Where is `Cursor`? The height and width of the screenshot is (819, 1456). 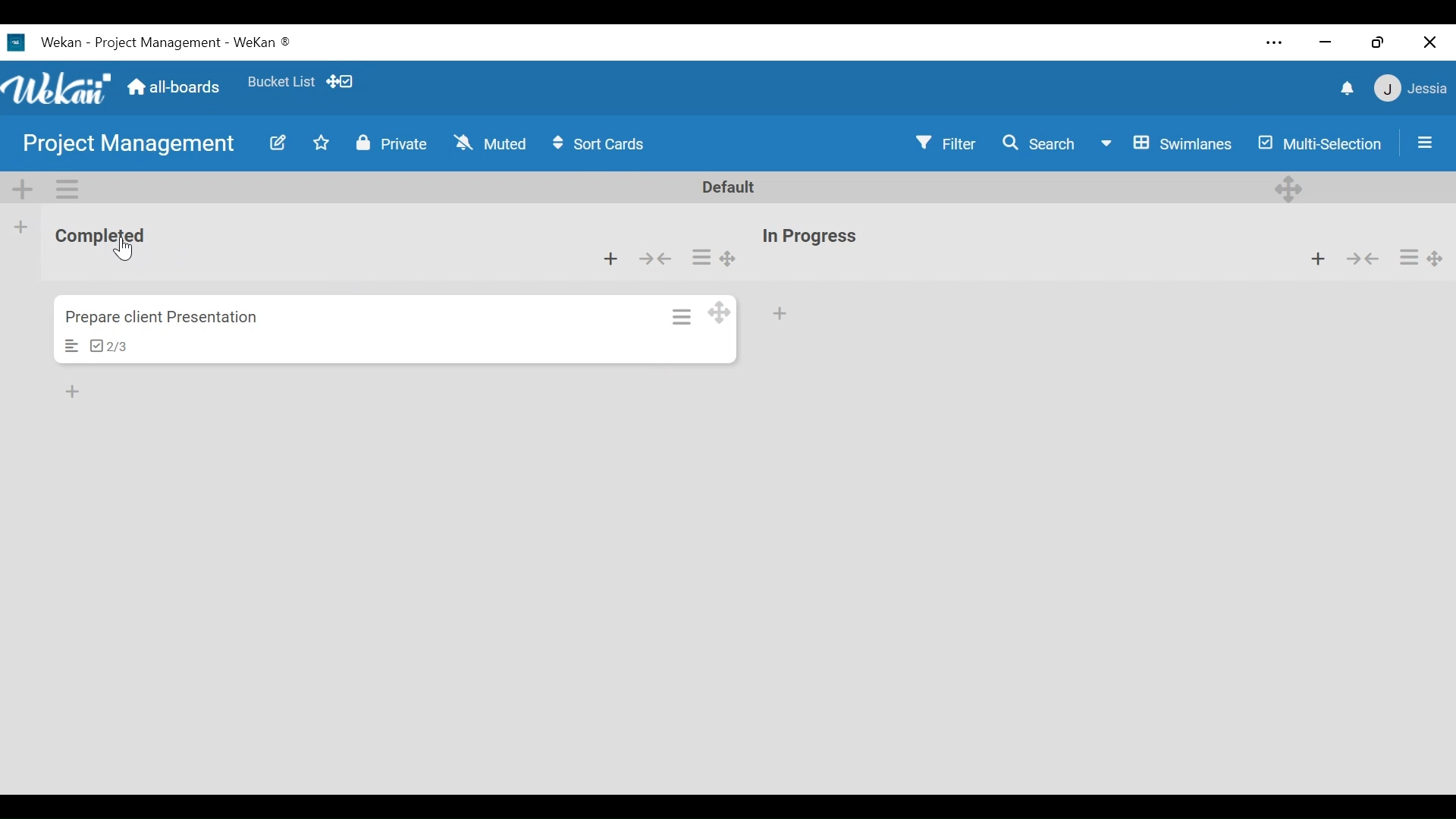
Cursor is located at coordinates (127, 252).